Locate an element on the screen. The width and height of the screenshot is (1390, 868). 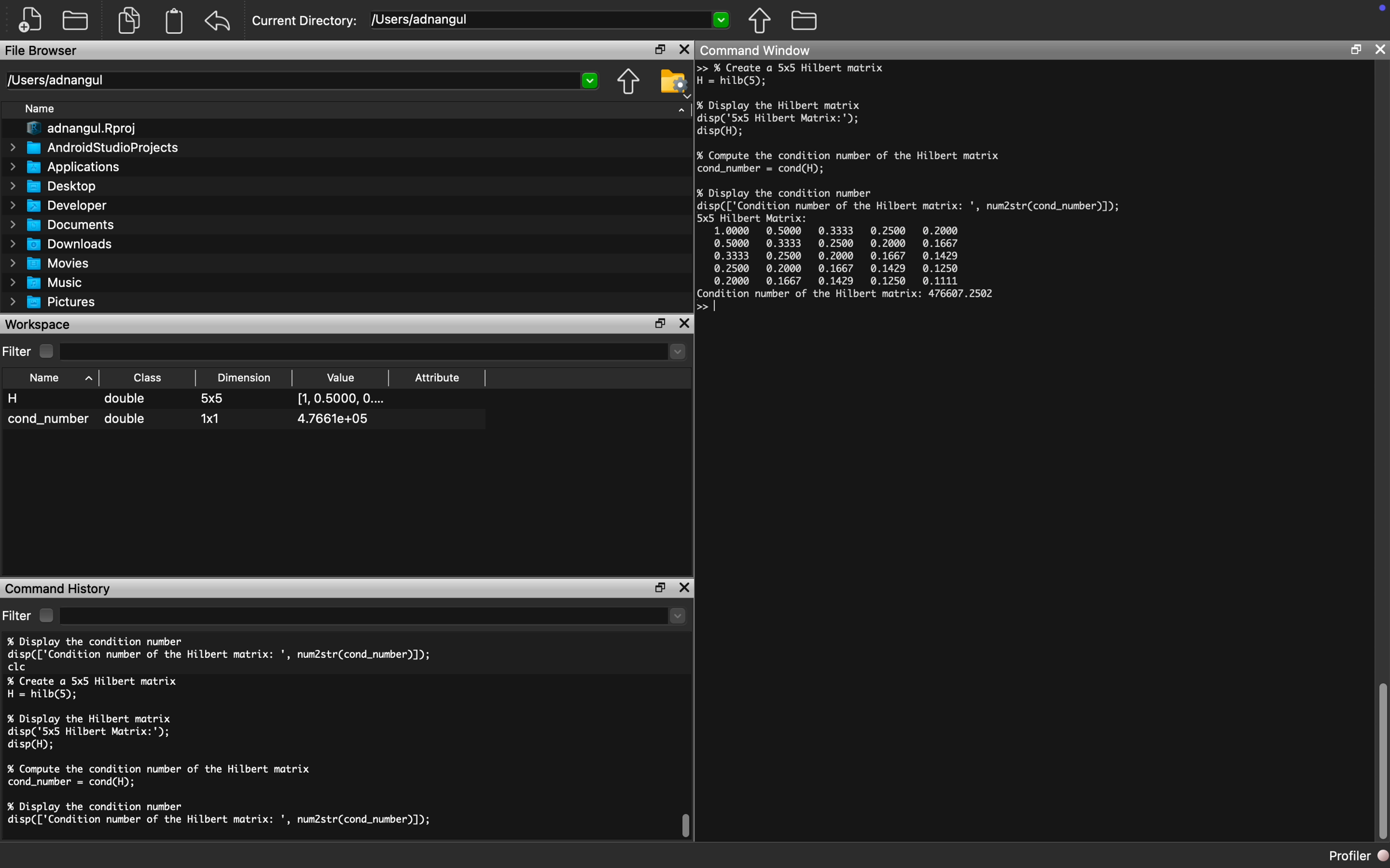
[Users/adnangul  is located at coordinates (550, 22).